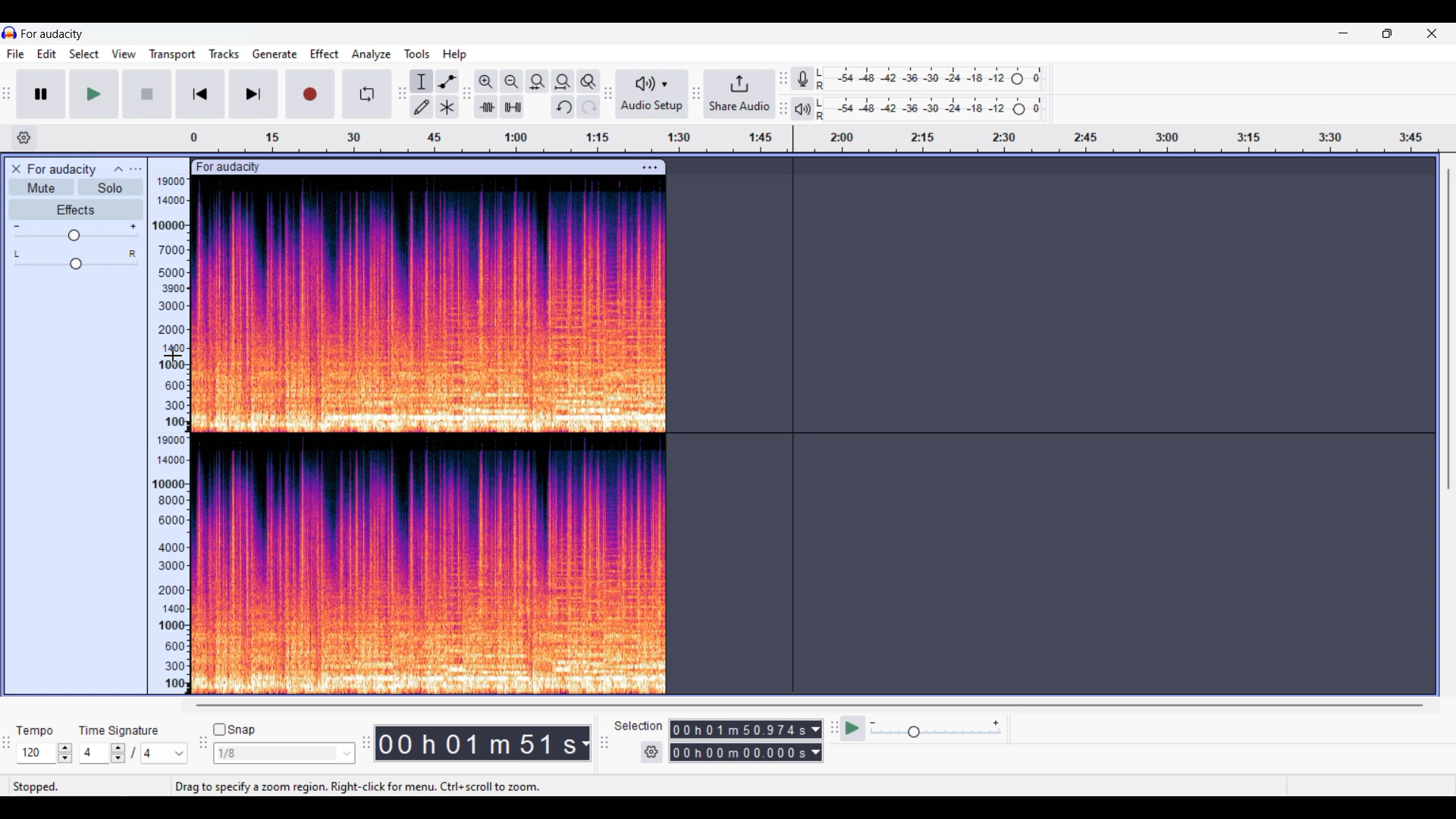 The image size is (1456, 819). Describe the element at coordinates (652, 752) in the screenshot. I see `Settings` at that location.